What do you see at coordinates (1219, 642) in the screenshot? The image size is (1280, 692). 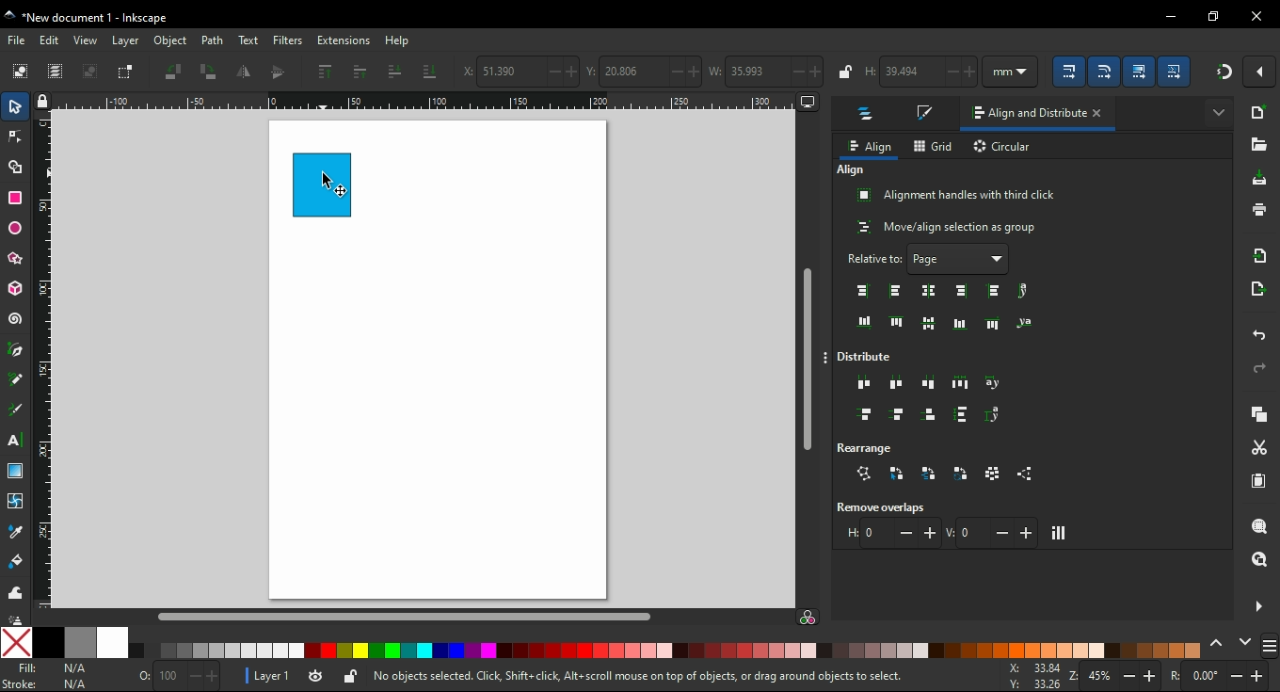 I see `previous` at bounding box center [1219, 642].